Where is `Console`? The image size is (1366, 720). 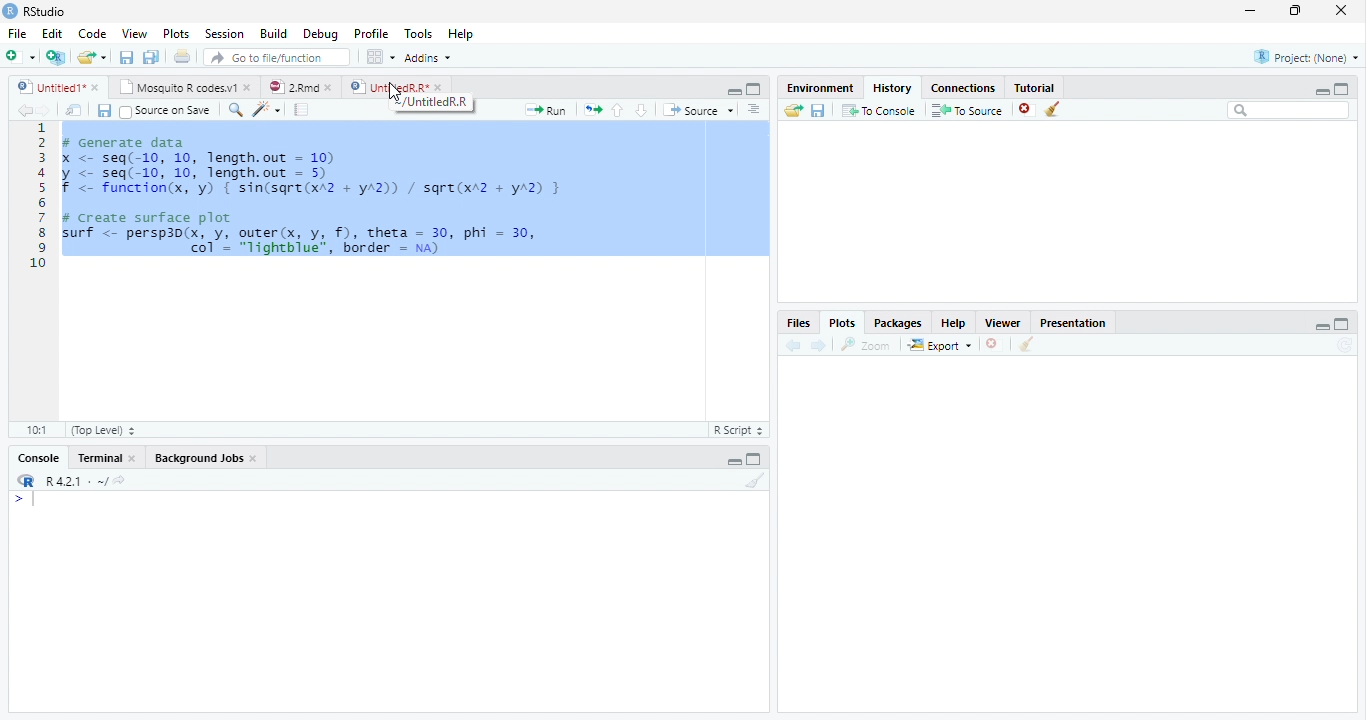
Console is located at coordinates (39, 458).